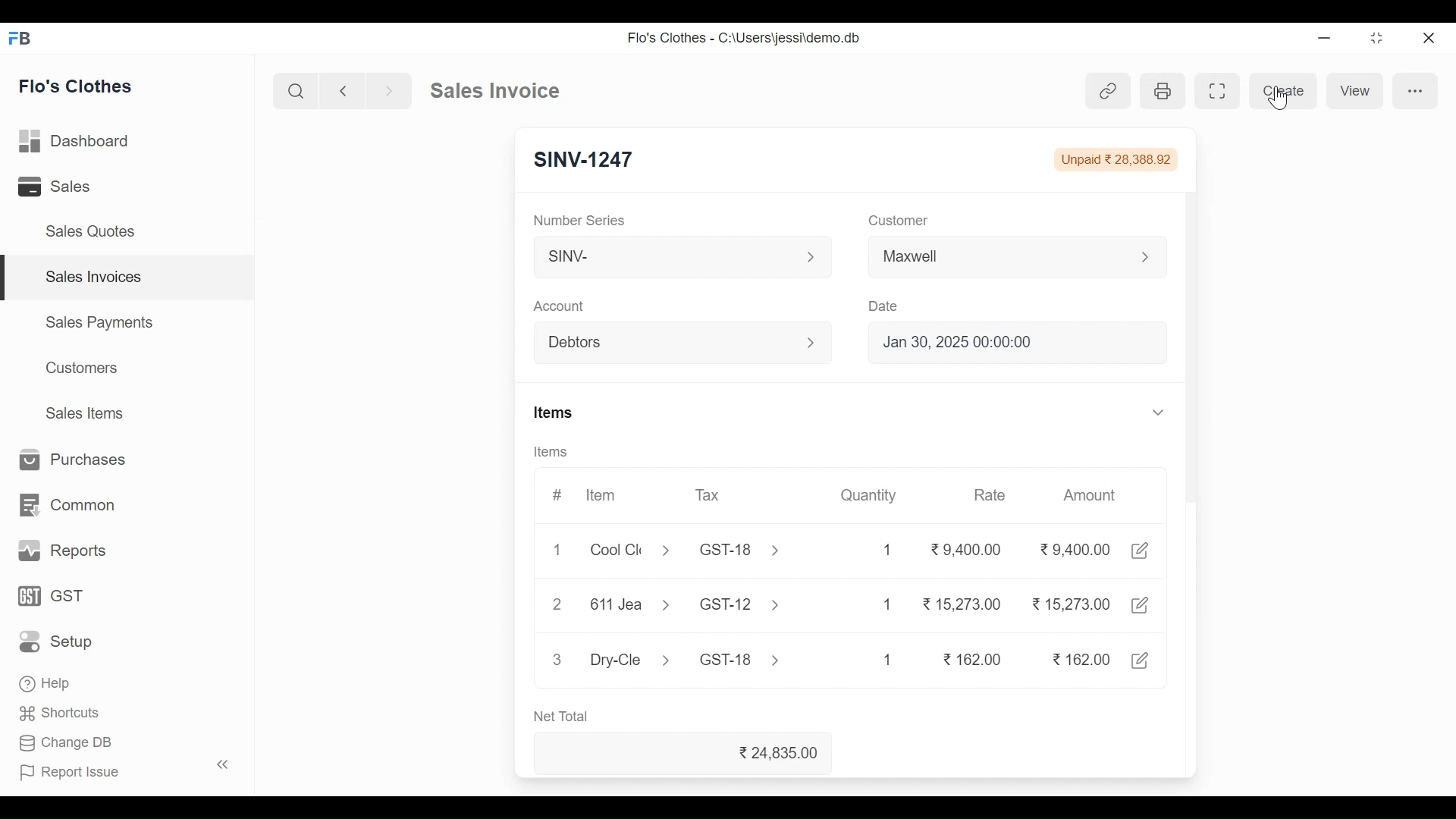  I want to click on 162.00, so click(1079, 658).